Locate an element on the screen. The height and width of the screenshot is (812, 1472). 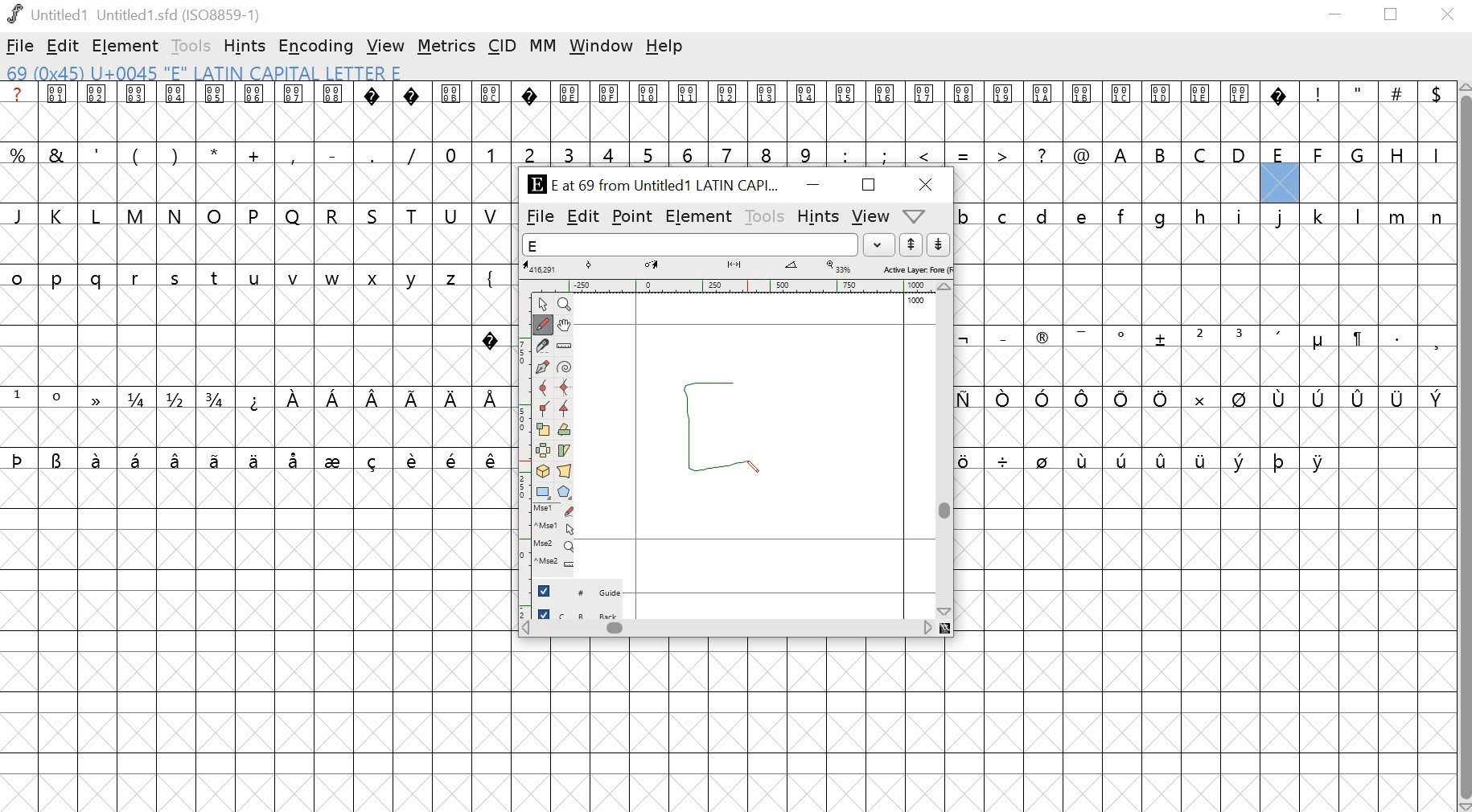
CID is located at coordinates (502, 47).